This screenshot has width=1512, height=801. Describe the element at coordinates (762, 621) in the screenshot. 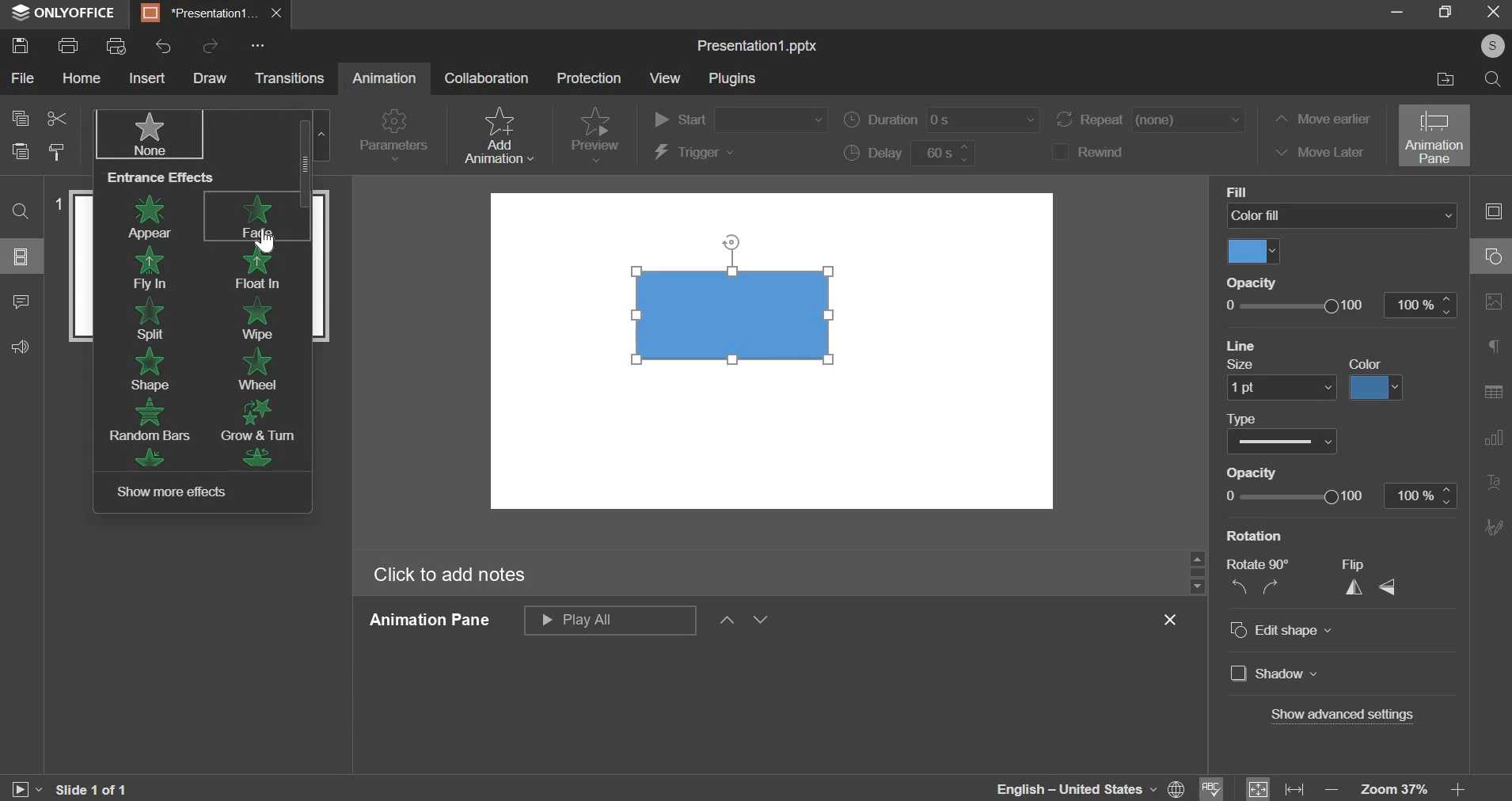

I see `down` at that location.